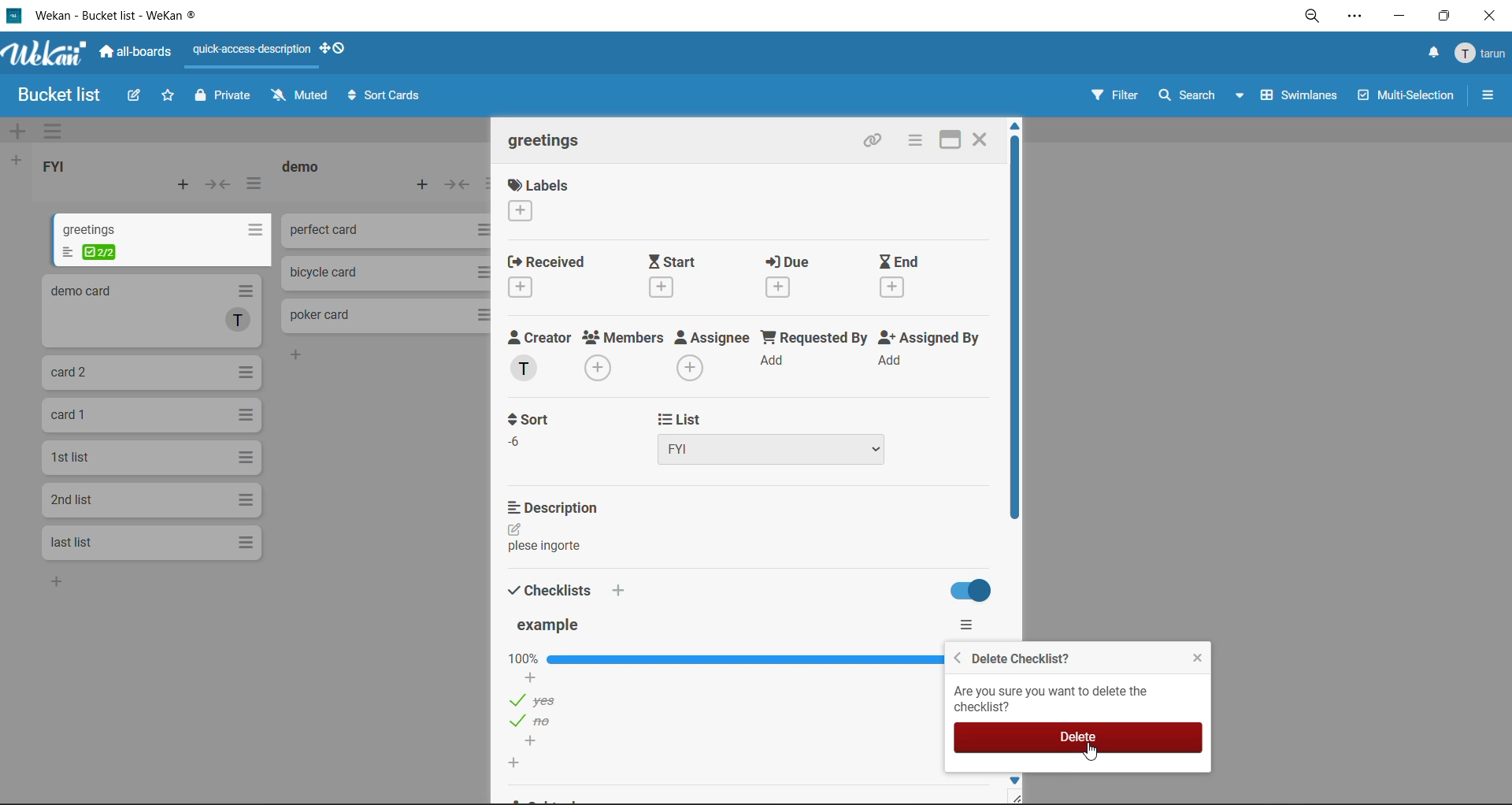  Describe the element at coordinates (1429, 52) in the screenshot. I see `notifications` at that location.